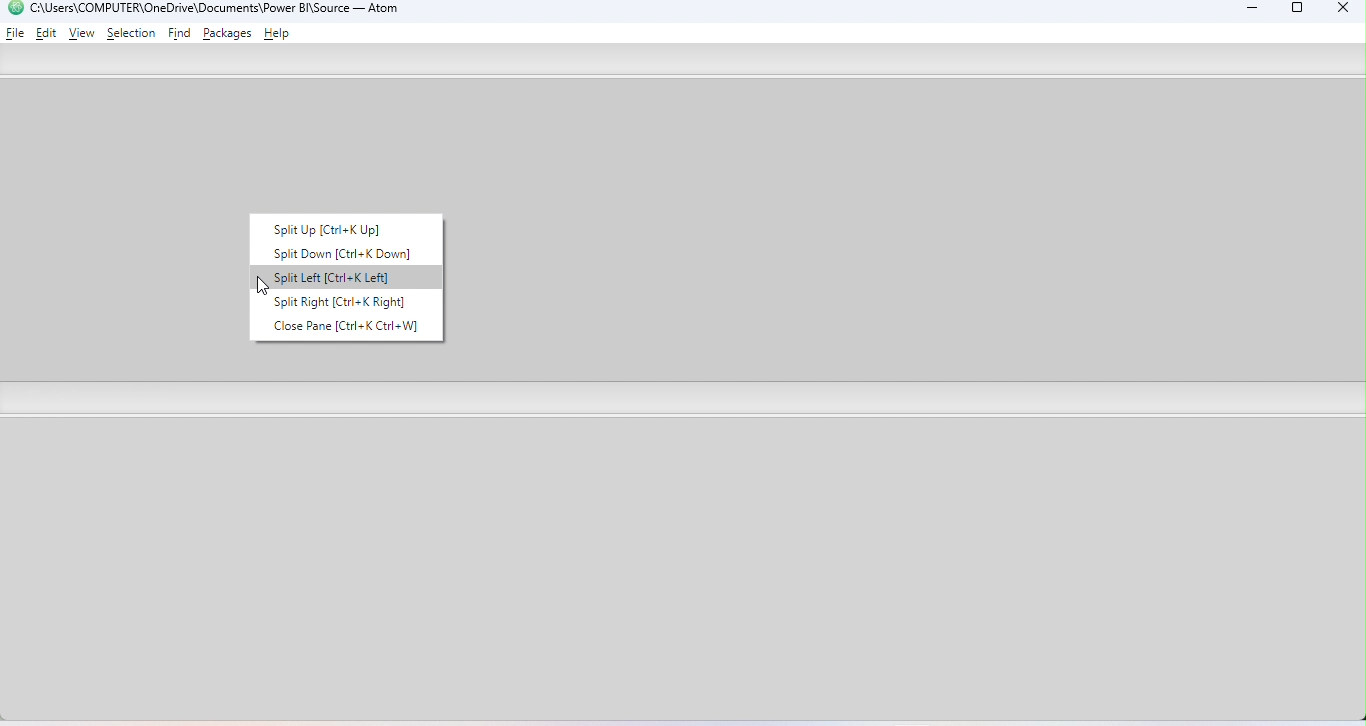 Image resolution: width=1366 pixels, height=726 pixels. What do you see at coordinates (230, 33) in the screenshot?
I see `Packages` at bounding box center [230, 33].